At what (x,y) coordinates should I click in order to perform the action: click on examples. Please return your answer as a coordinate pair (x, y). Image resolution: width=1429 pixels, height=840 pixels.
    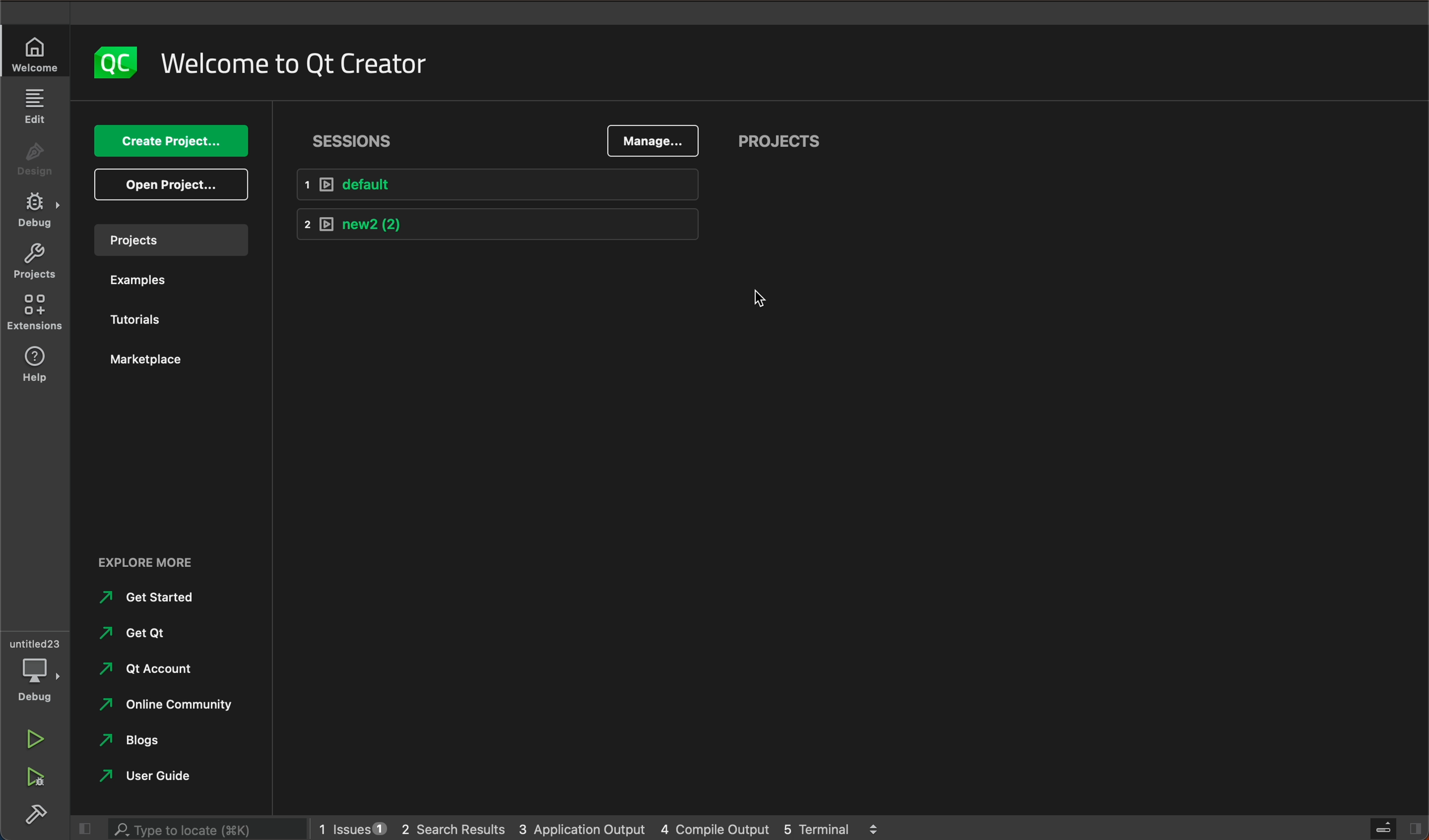
    Looking at the image, I should click on (160, 281).